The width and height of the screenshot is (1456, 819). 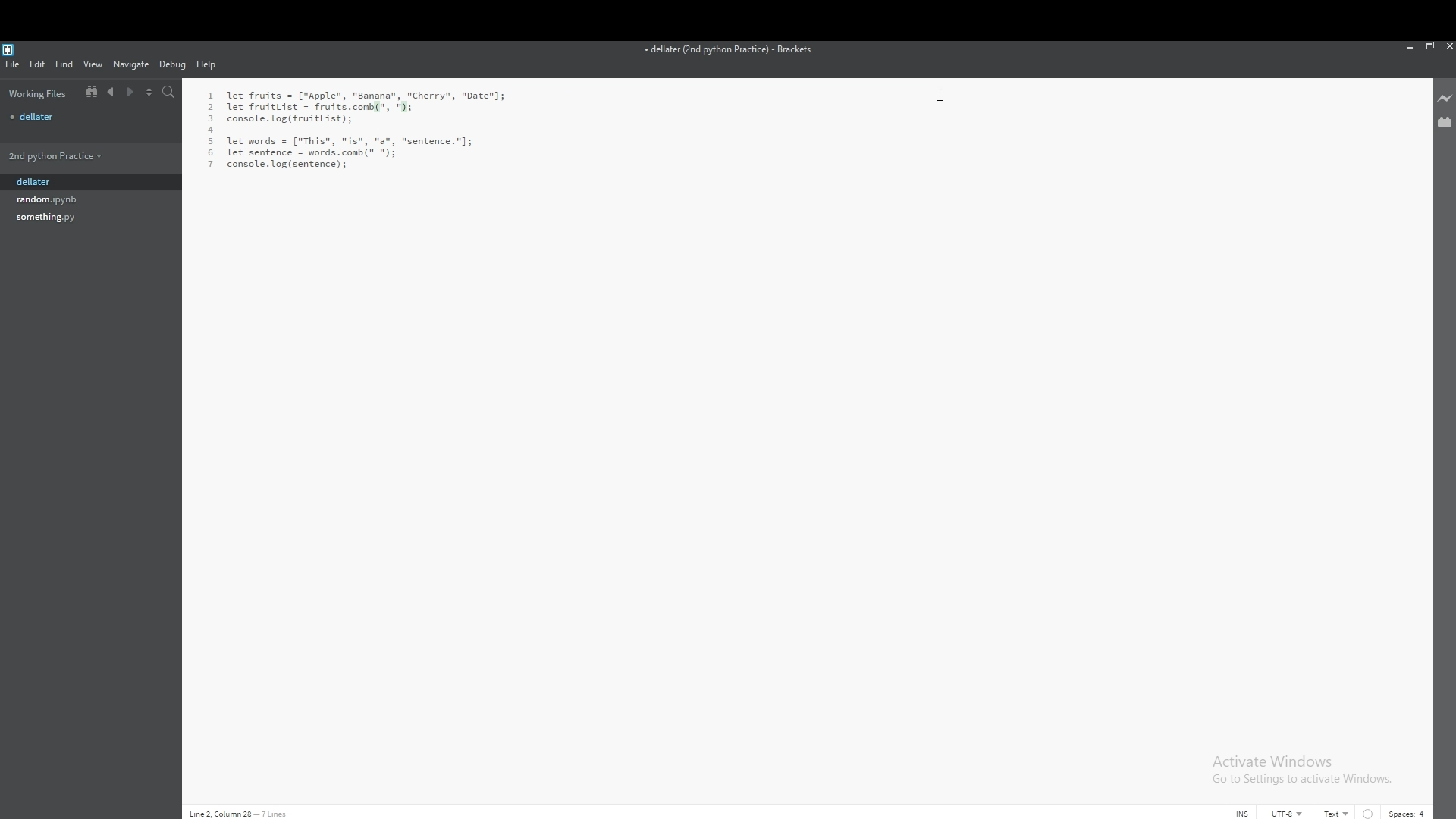 What do you see at coordinates (38, 93) in the screenshot?
I see `working files` at bounding box center [38, 93].